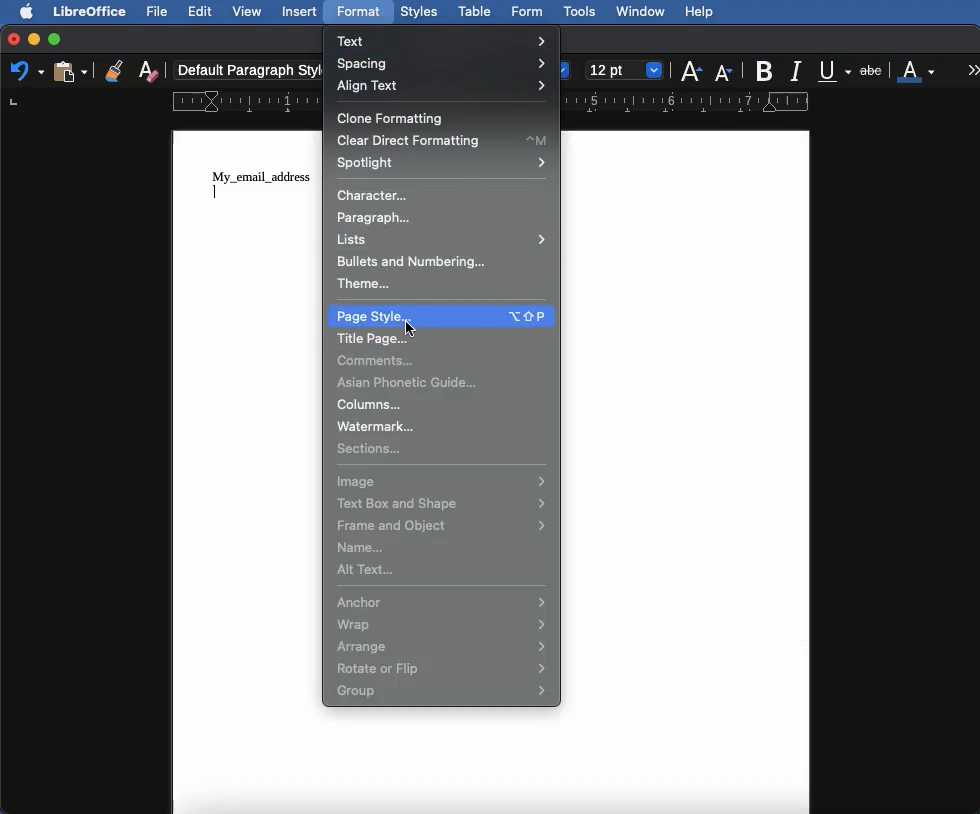 This screenshot has height=814, width=980. I want to click on Underline, so click(836, 72).